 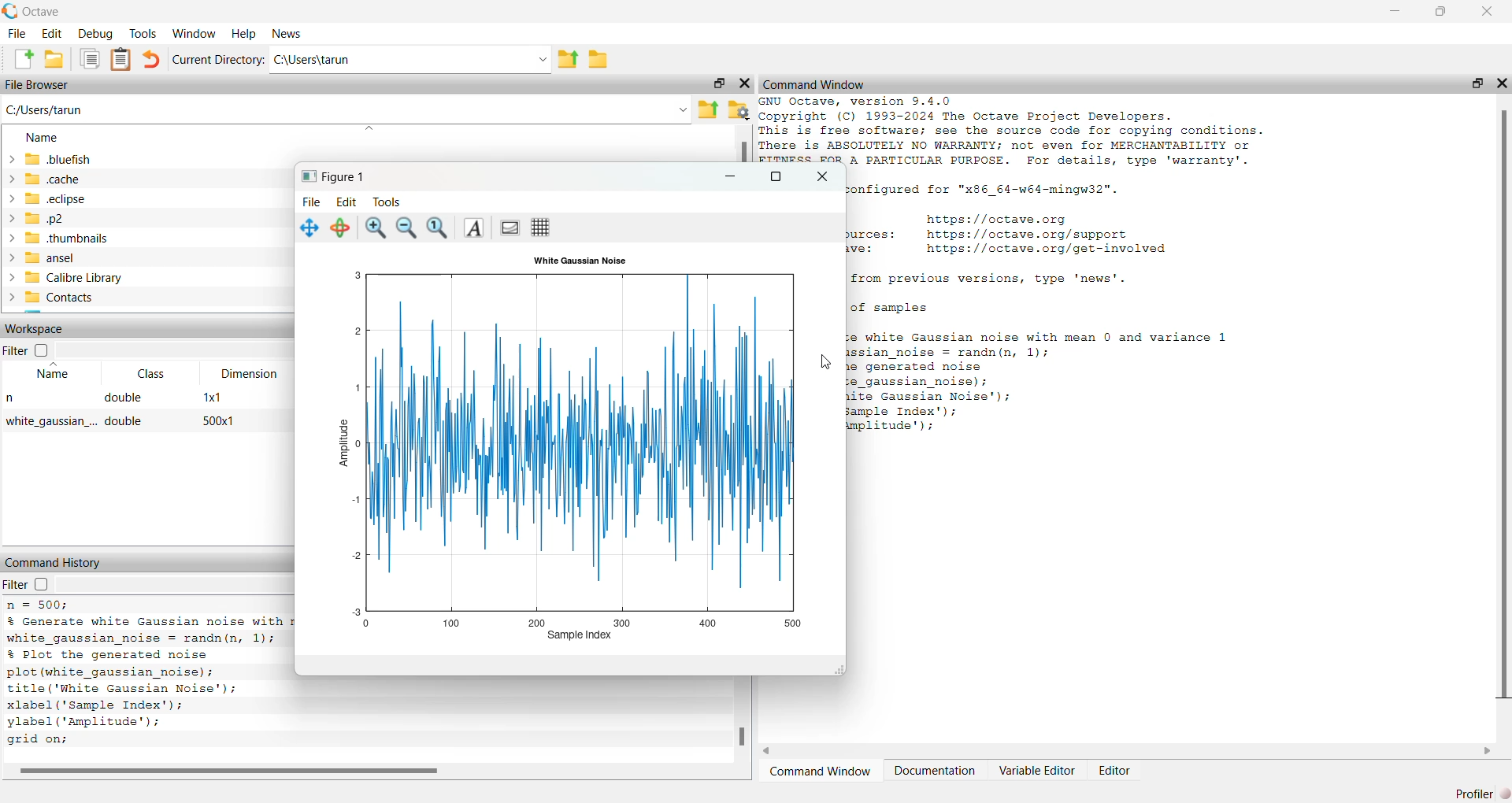 What do you see at coordinates (46, 424) in the screenshot?
I see `while gaussian` at bounding box center [46, 424].